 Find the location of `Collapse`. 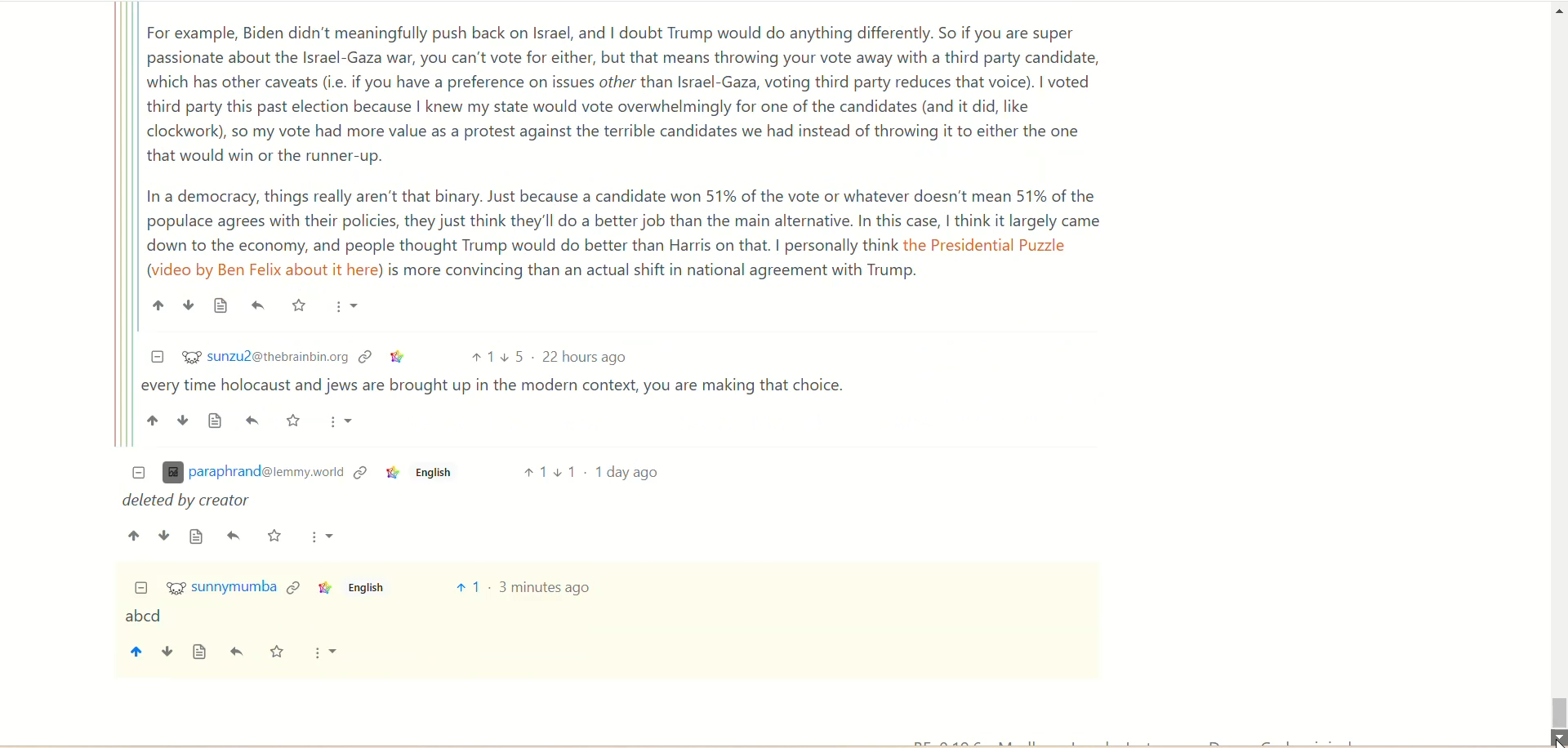

Collapse is located at coordinates (156, 357).